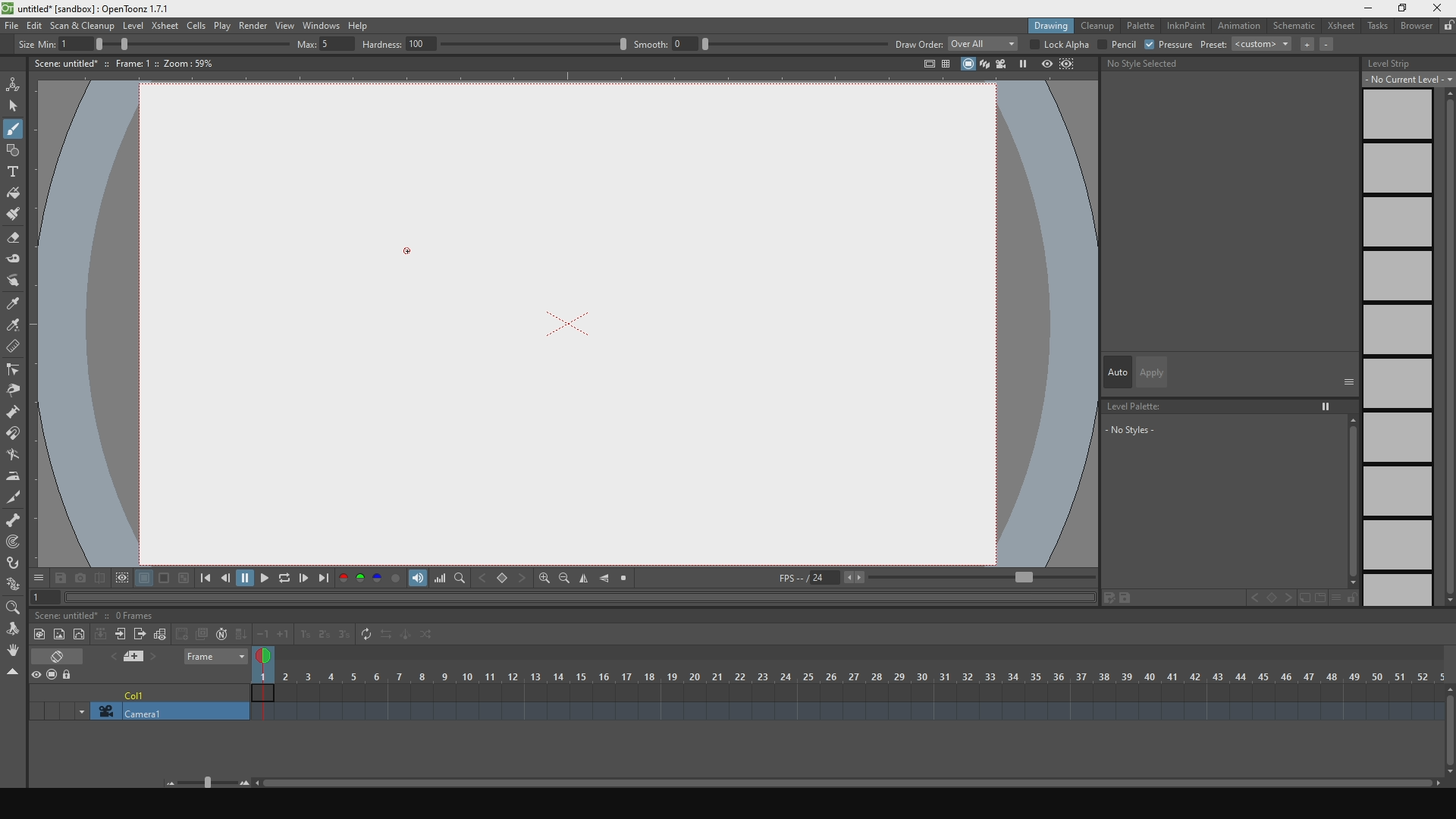  Describe the element at coordinates (1116, 45) in the screenshot. I see `pencil` at that location.